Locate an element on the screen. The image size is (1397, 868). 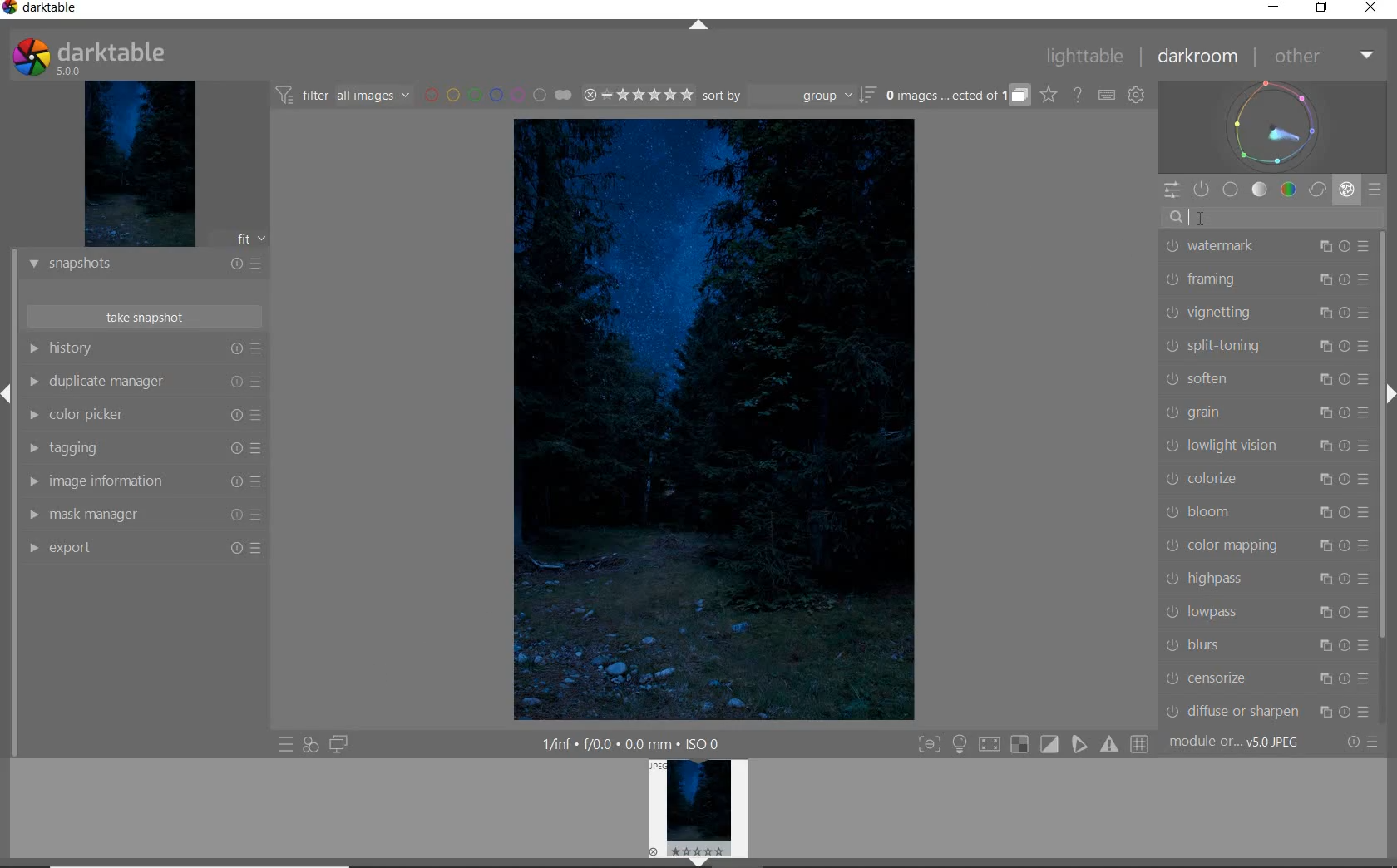
SELECTED IMAGE is located at coordinates (712, 421).